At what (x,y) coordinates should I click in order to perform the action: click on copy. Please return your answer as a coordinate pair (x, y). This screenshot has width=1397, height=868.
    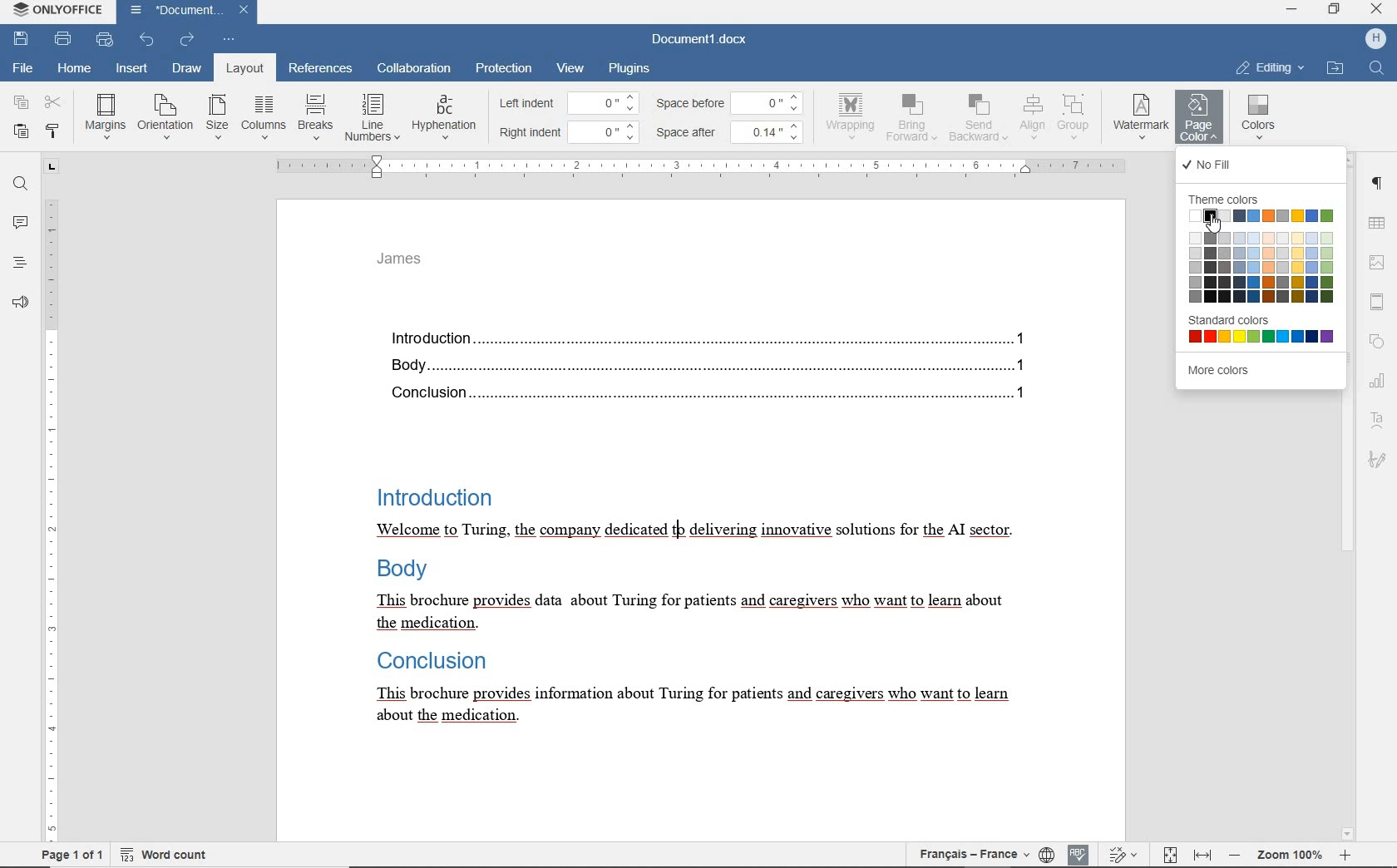
    Looking at the image, I should click on (23, 103).